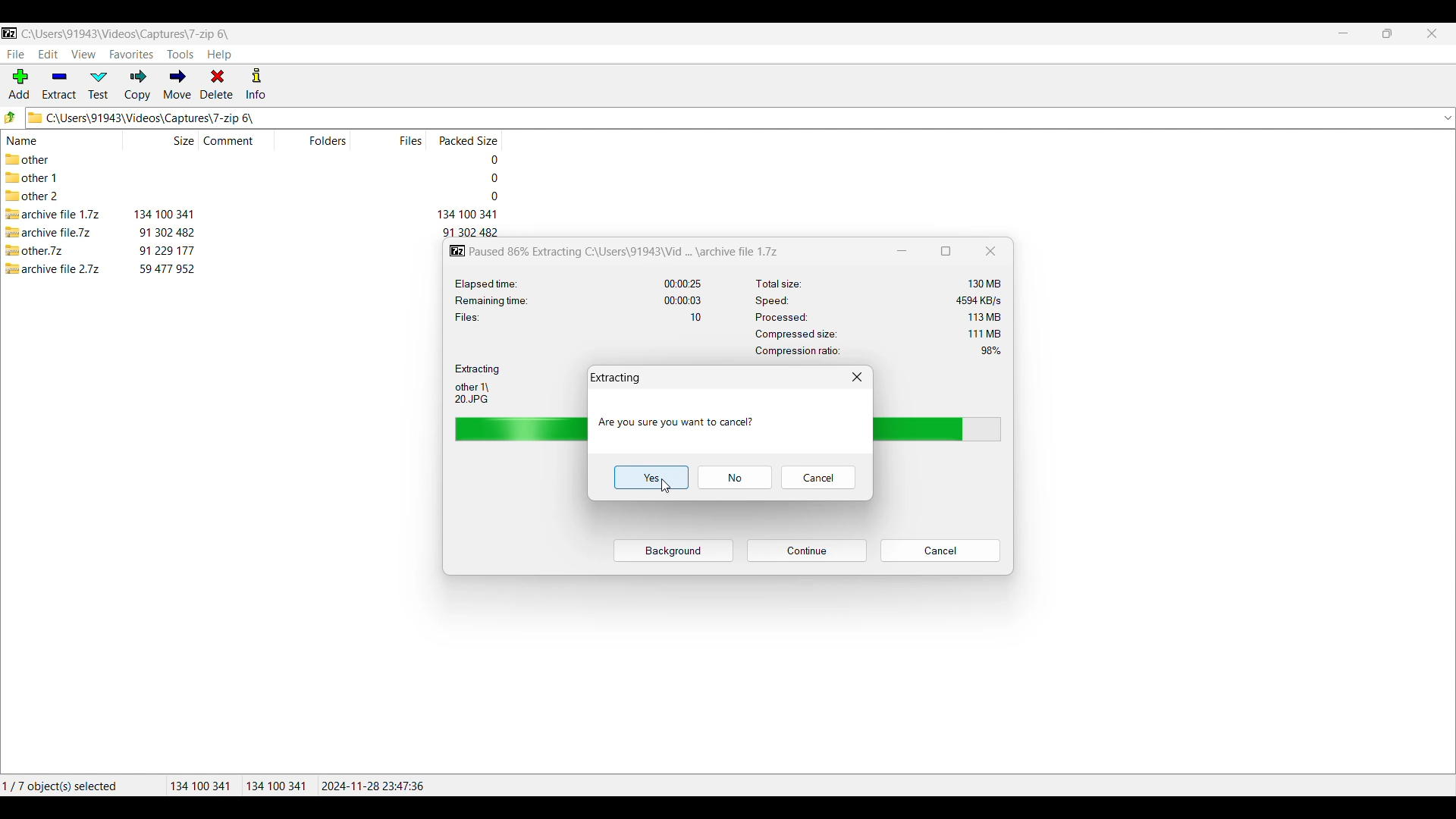  What do you see at coordinates (902, 250) in the screenshot?
I see `Minimize window` at bounding box center [902, 250].